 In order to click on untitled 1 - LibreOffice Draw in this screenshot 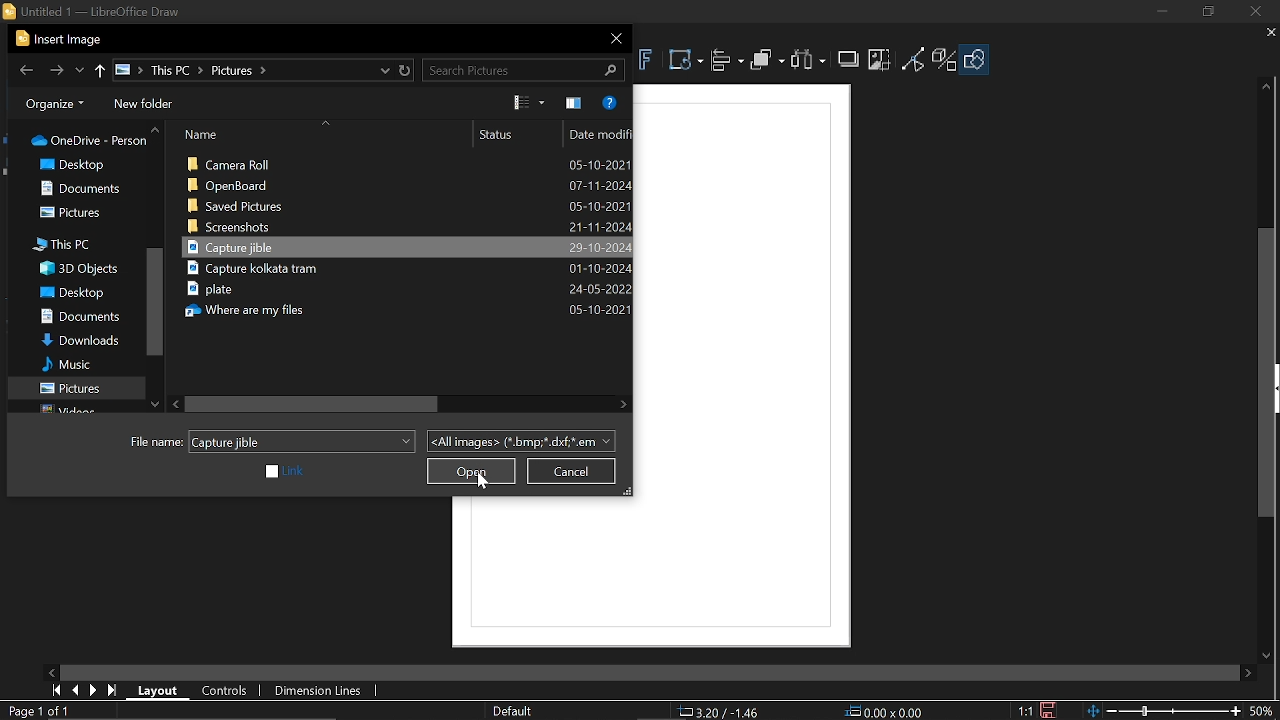, I will do `click(107, 11)`.